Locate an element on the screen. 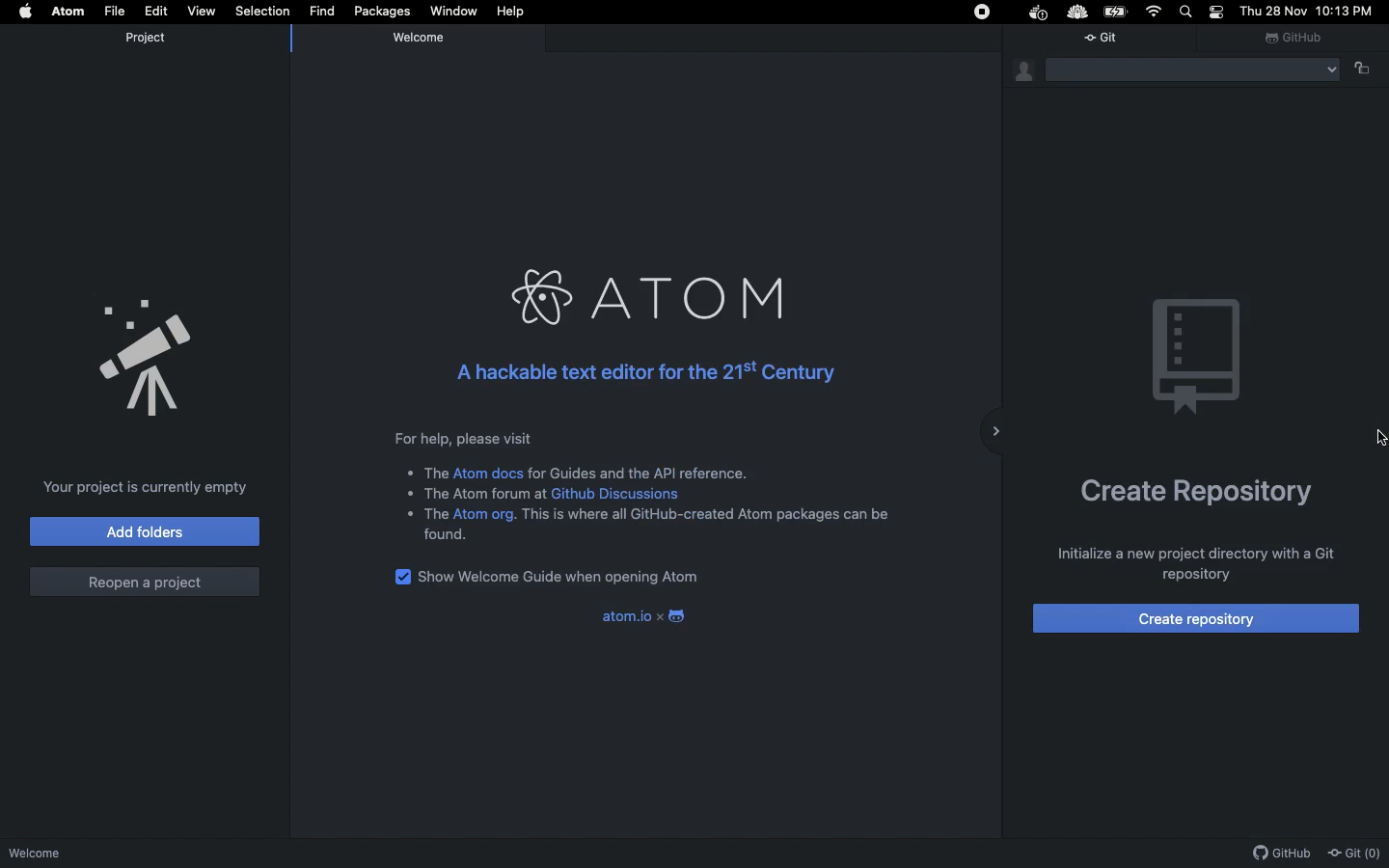 Image resolution: width=1389 pixels, height=868 pixels. ATOM is located at coordinates (655, 290).